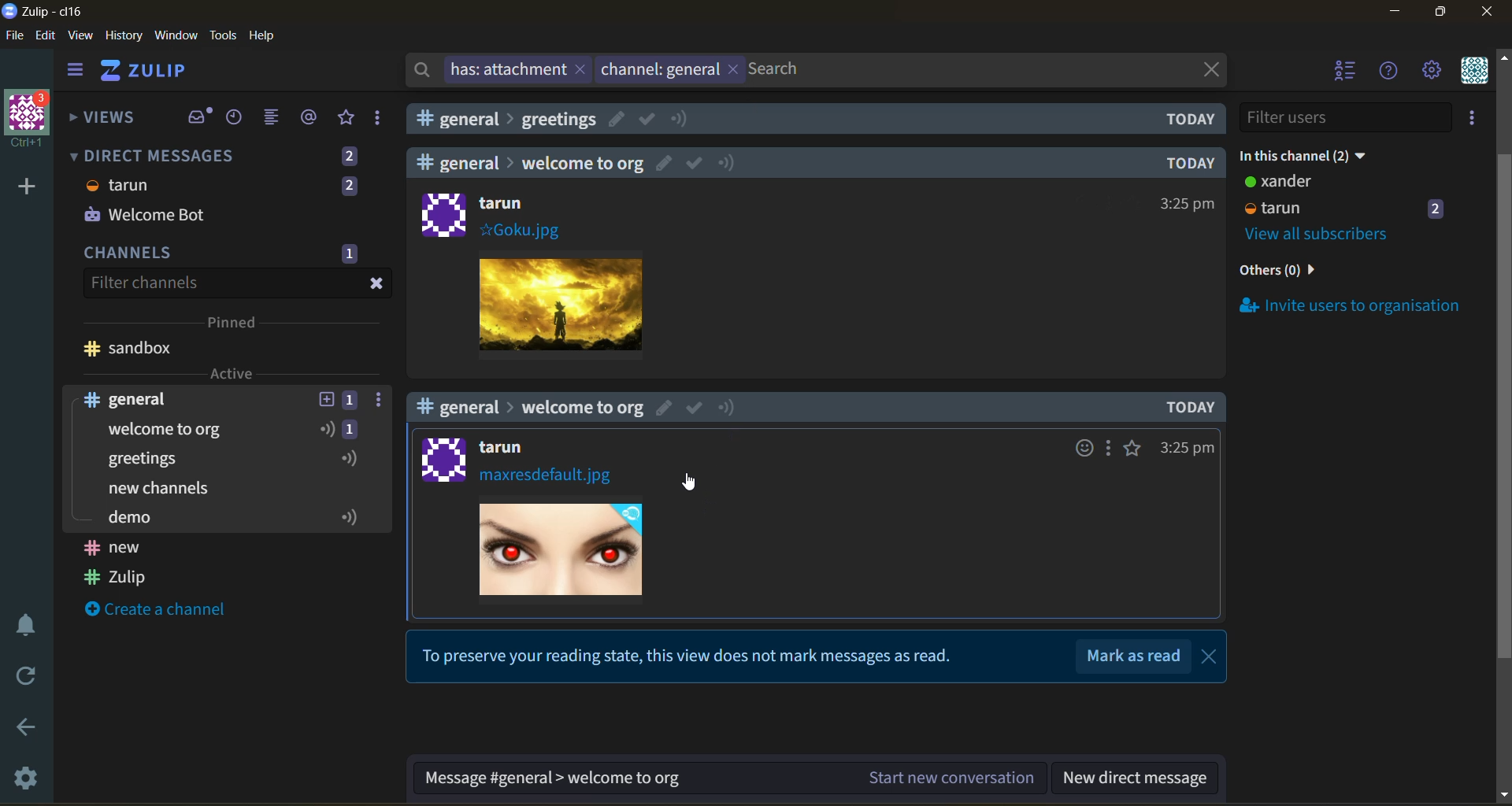 The width and height of the screenshot is (1512, 806). What do you see at coordinates (349, 156) in the screenshot?
I see `2` at bounding box center [349, 156].